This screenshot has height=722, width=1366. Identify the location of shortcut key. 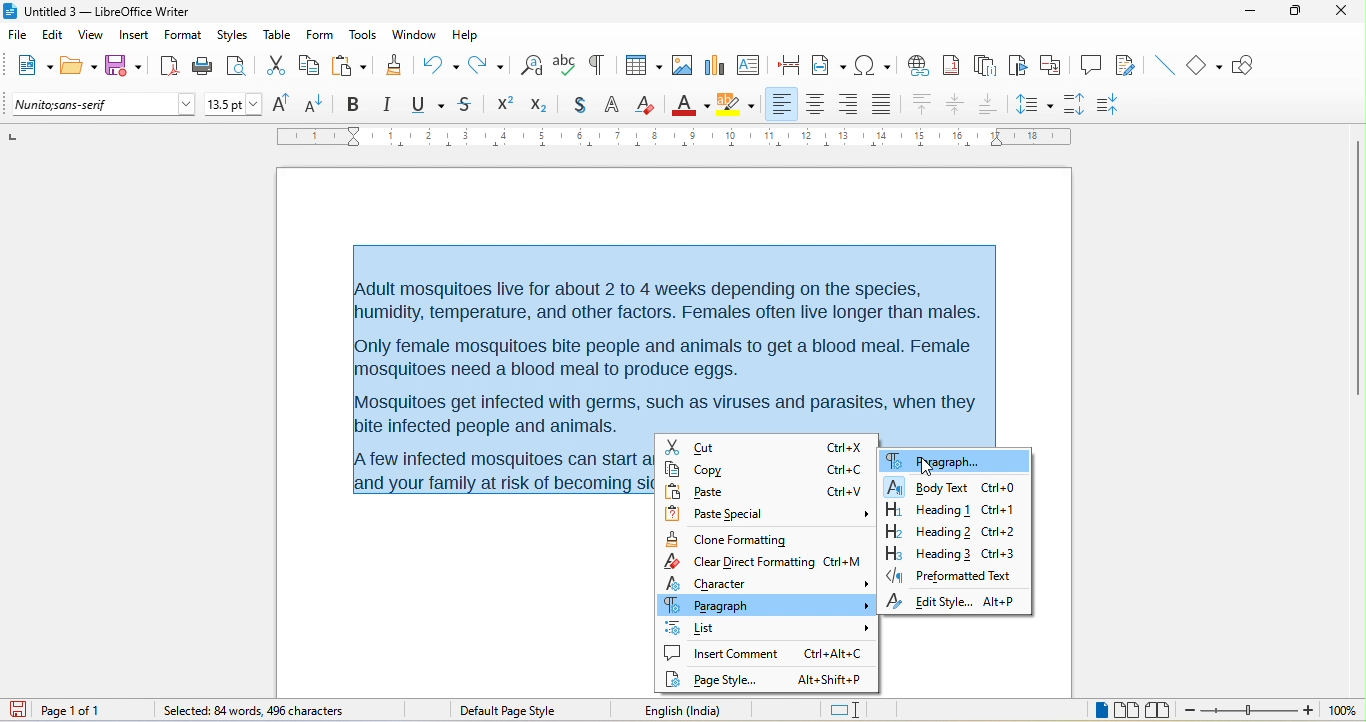
(1002, 552).